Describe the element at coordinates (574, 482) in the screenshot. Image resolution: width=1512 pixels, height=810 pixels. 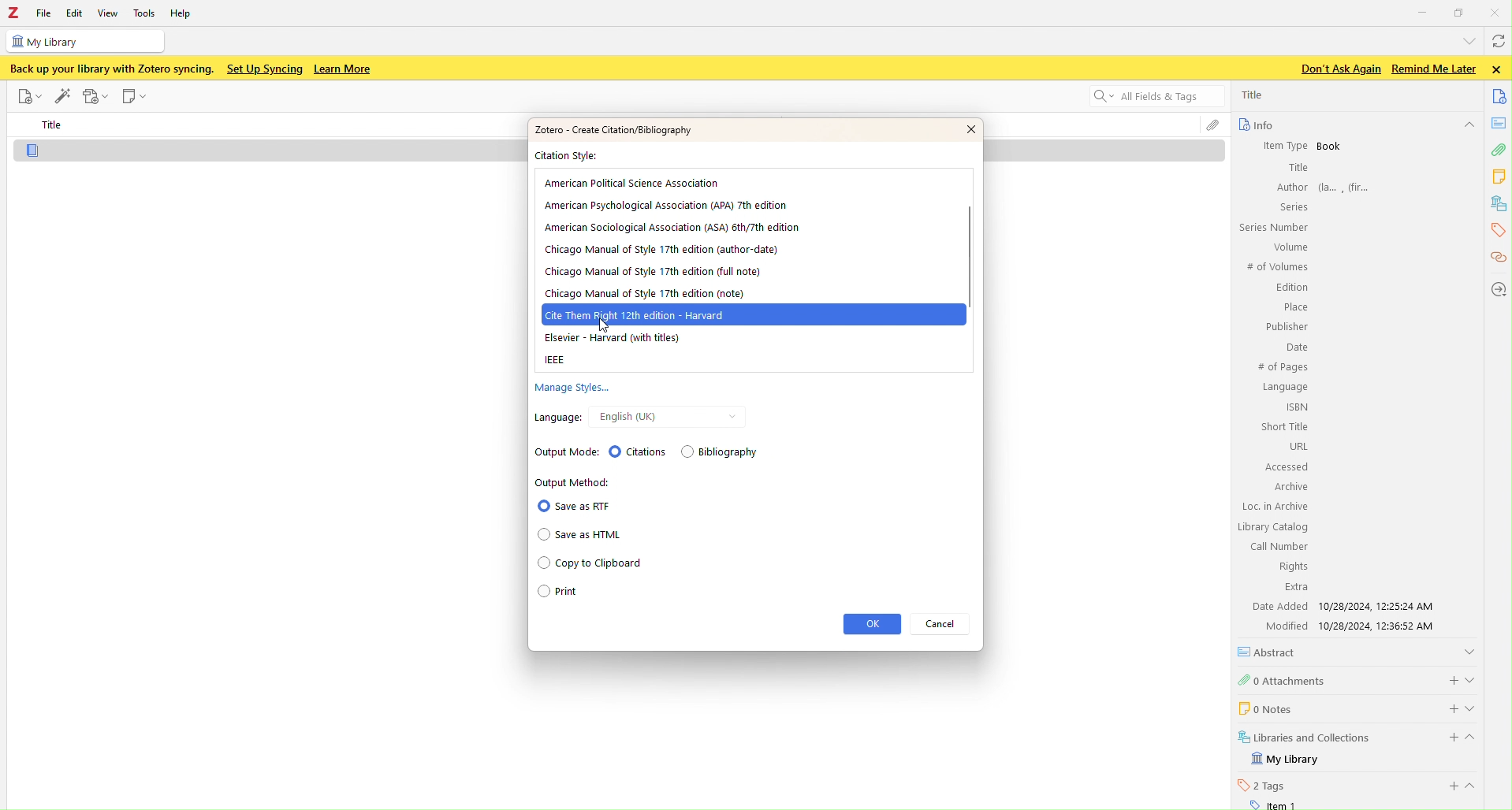
I see `Output Method:` at that location.